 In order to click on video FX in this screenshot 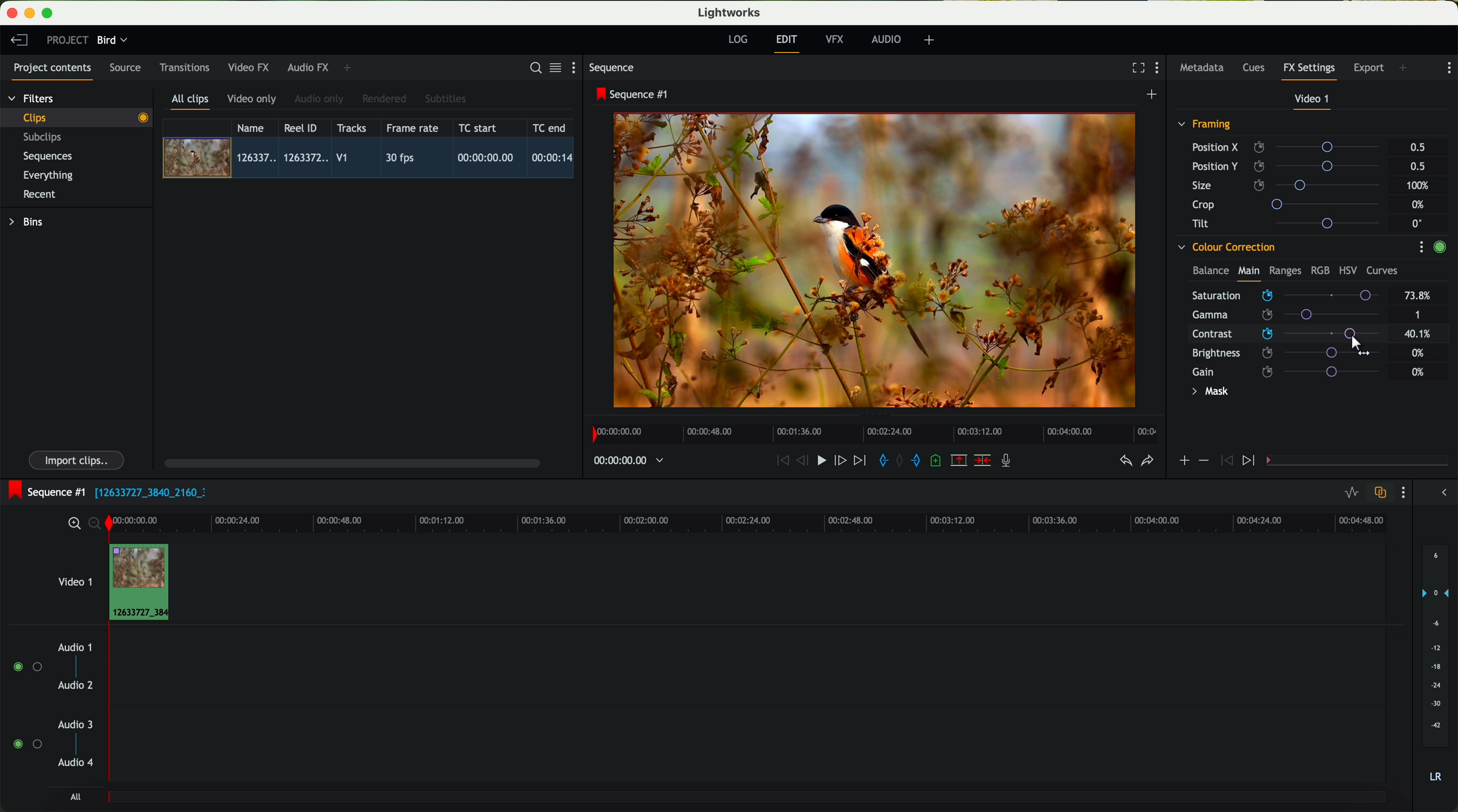, I will do `click(251, 67)`.